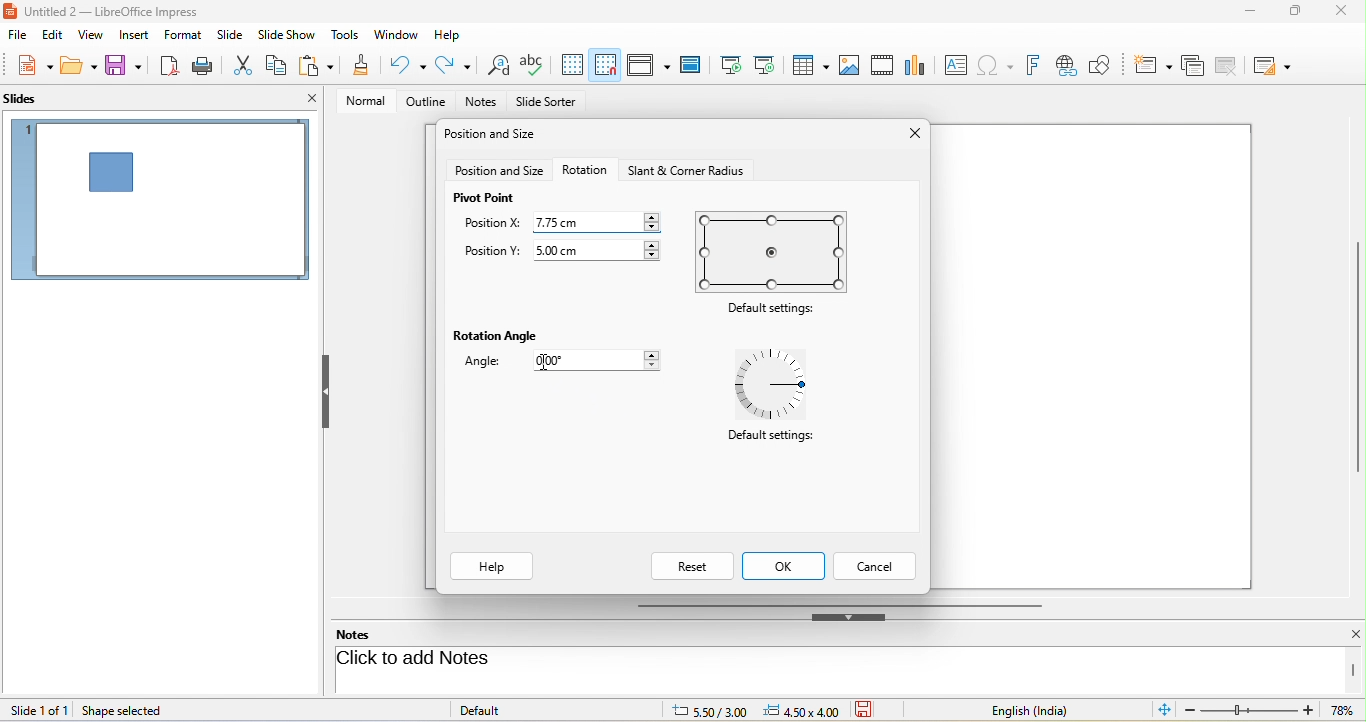 Image resolution: width=1366 pixels, height=722 pixels. I want to click on display view, so click(648, 64).